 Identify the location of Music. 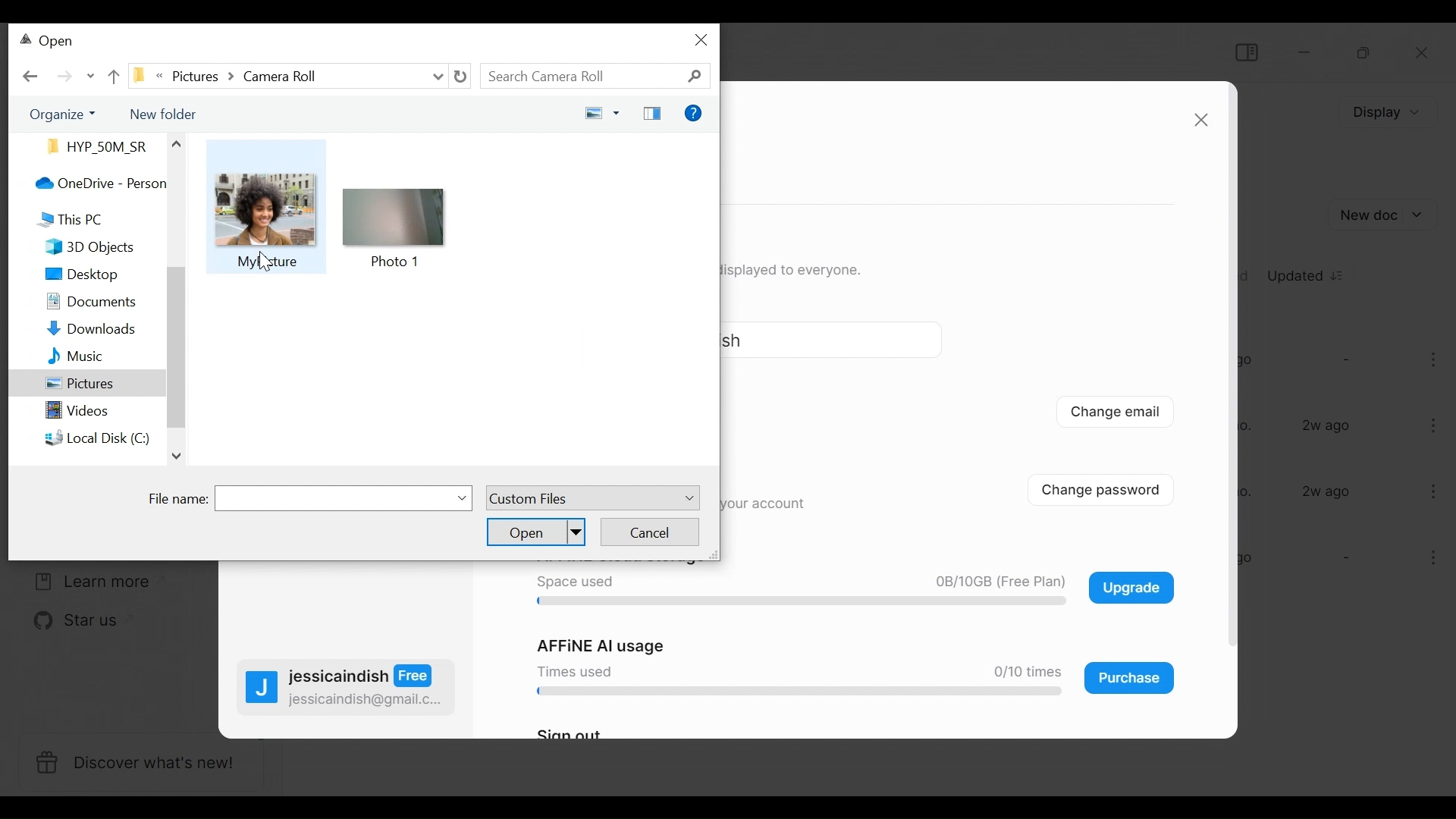
(64, 358).